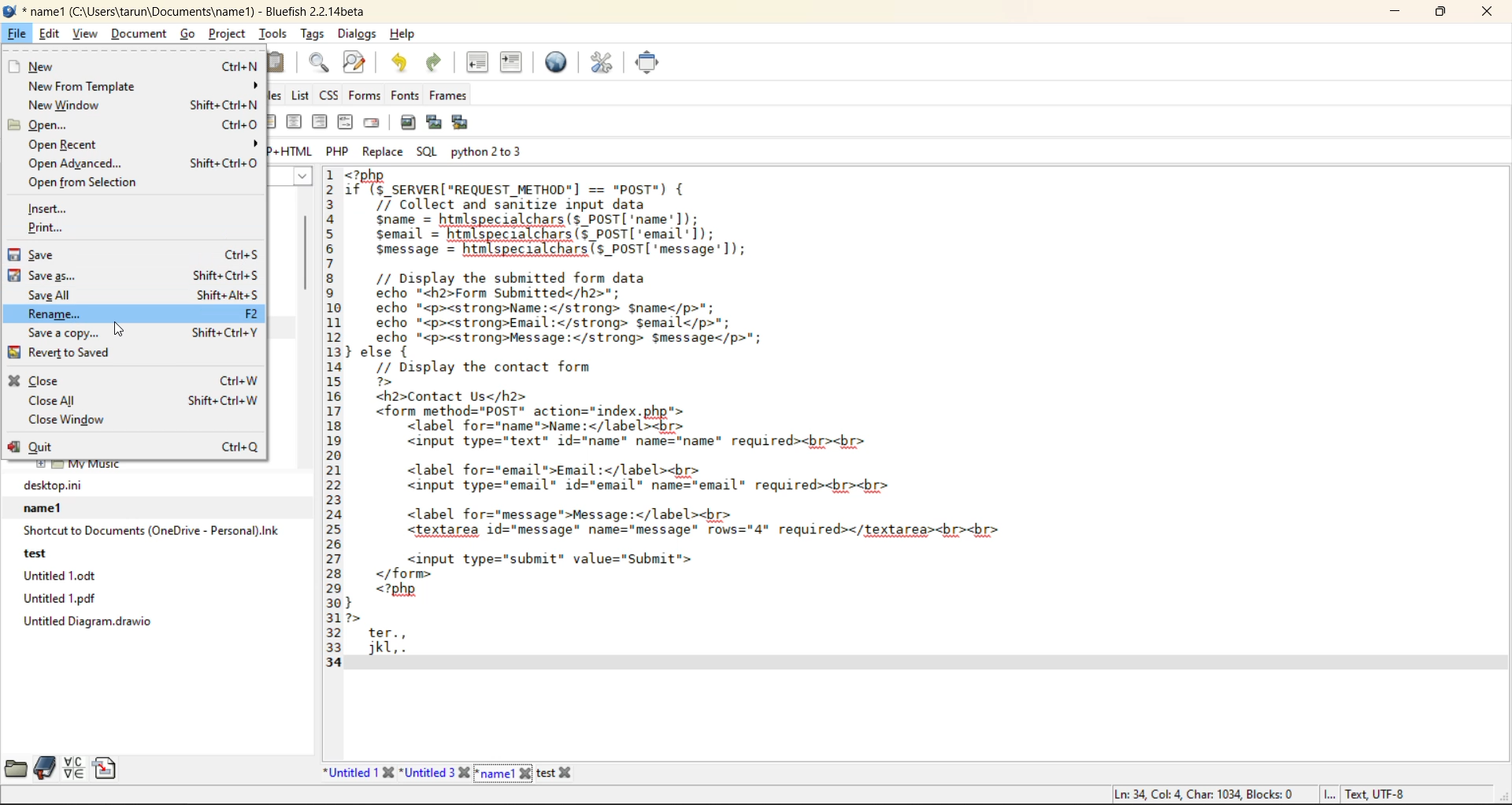  Describe the element at coordinates (404, 95) in the screenshot. I see `fonts ` at that location.